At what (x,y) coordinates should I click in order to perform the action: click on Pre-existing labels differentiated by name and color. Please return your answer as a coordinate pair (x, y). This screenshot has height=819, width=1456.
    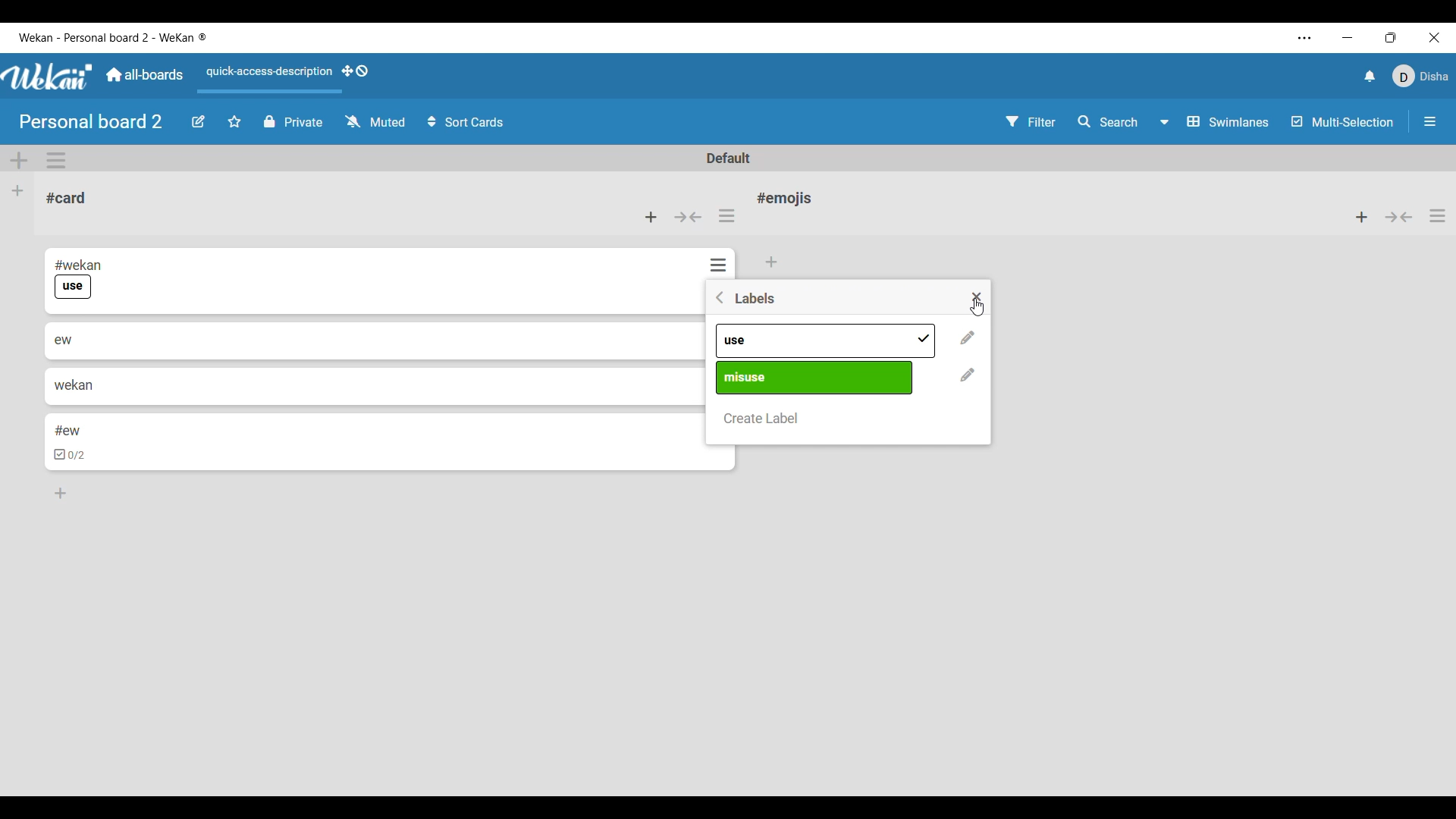
    Looking at the image, I should click on (816, 378).